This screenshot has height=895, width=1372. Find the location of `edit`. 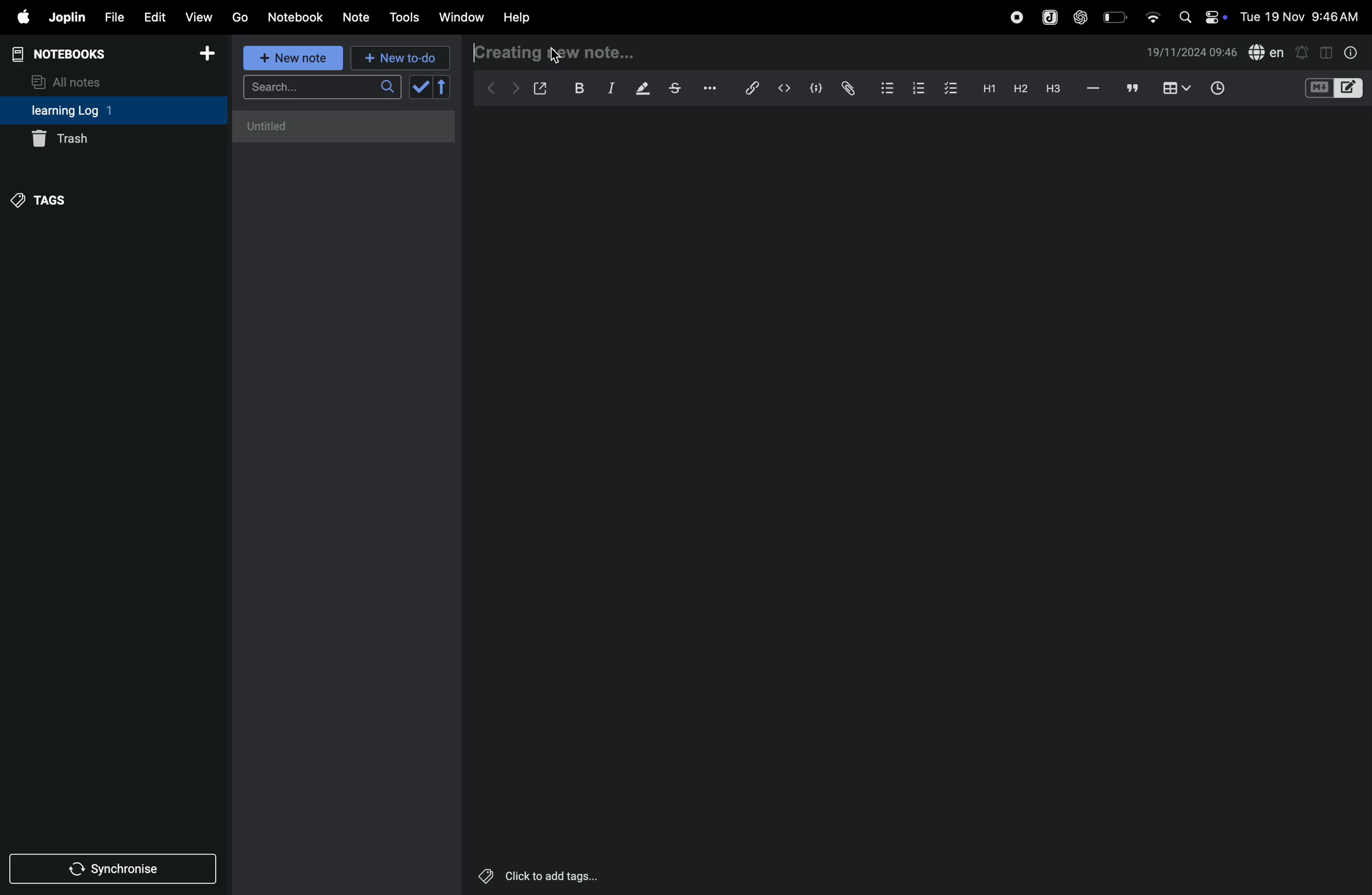

edit is located at coordinates (153, 17).